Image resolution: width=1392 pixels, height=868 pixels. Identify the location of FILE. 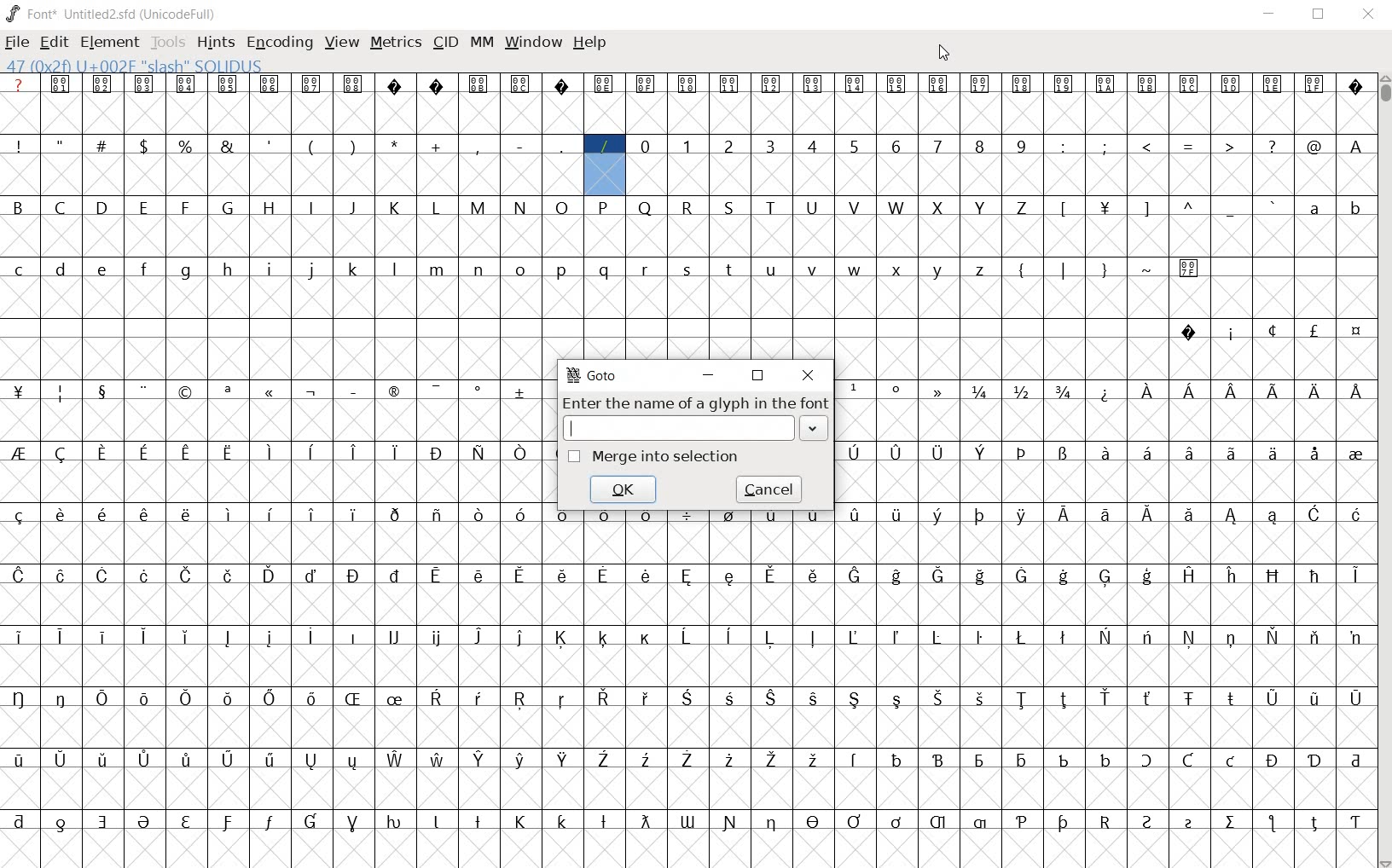
(18, 42).